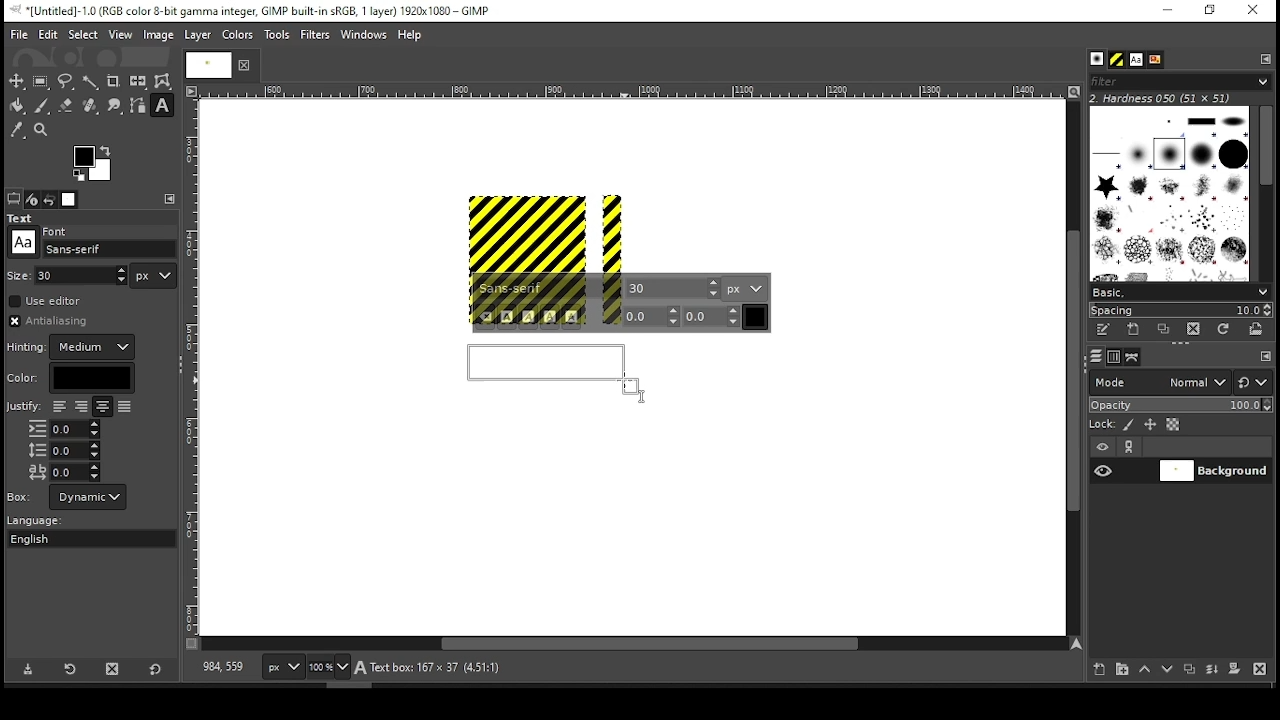  Describe the element at coordinates (80, 408) in the screenshot. I see `justify right` at that location.